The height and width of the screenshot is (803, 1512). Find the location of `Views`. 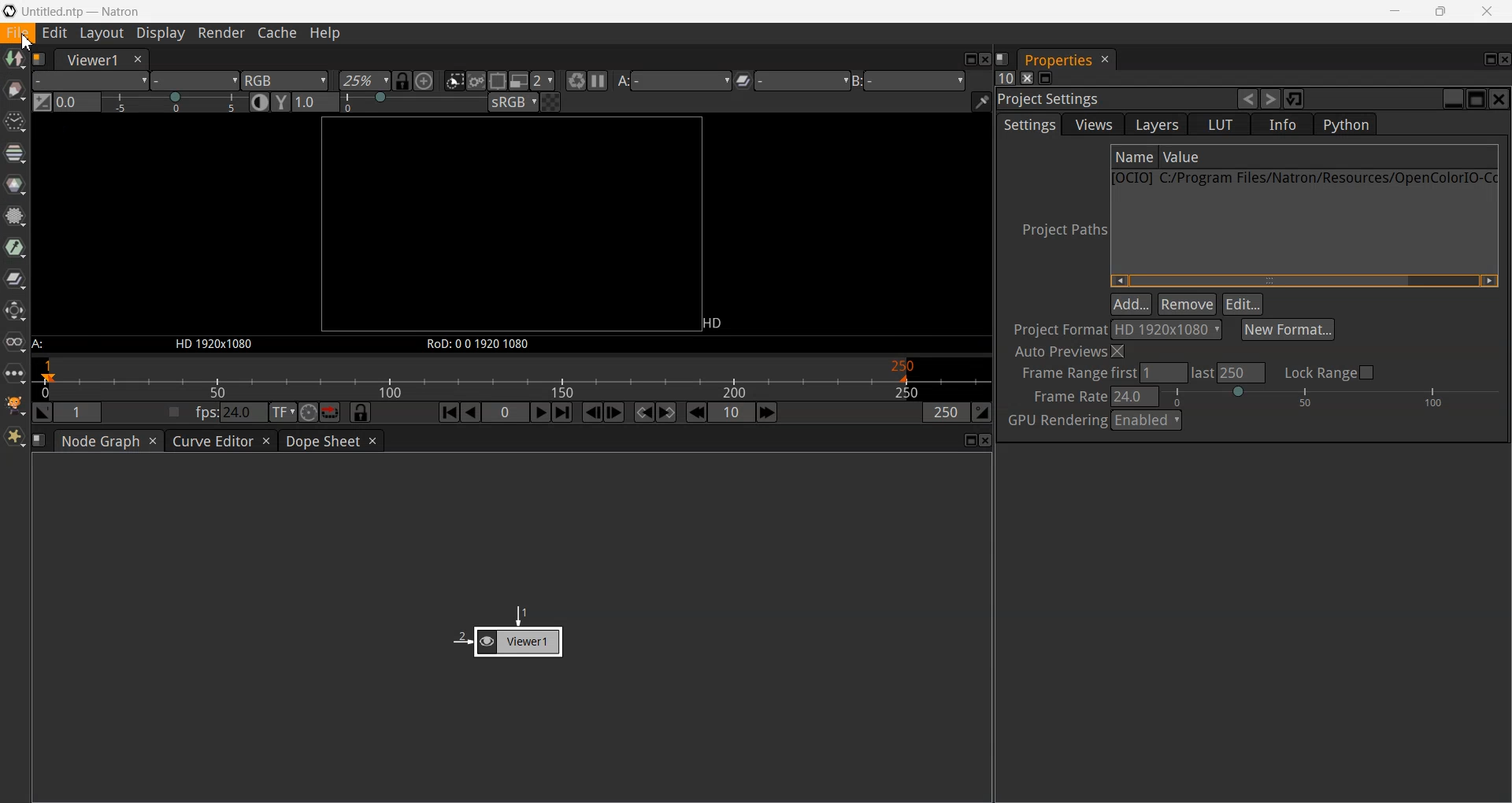

Views is located at coordinates (1091, 124).